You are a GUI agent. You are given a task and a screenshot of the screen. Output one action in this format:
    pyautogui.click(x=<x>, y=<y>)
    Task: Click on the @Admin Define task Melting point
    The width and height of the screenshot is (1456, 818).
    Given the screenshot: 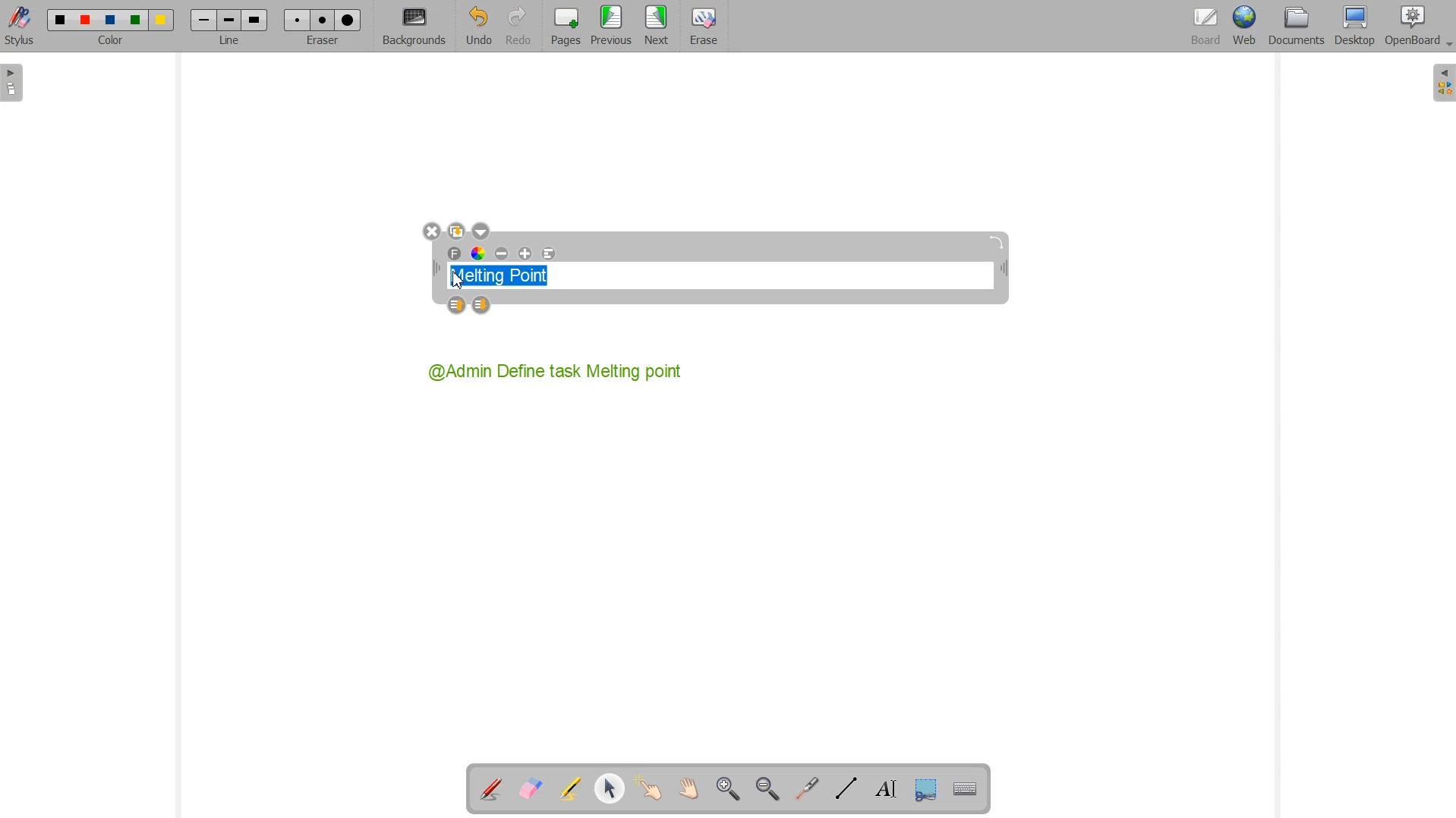 What is the action you would take?
    pyautogui.click(x=557, y=371)
    